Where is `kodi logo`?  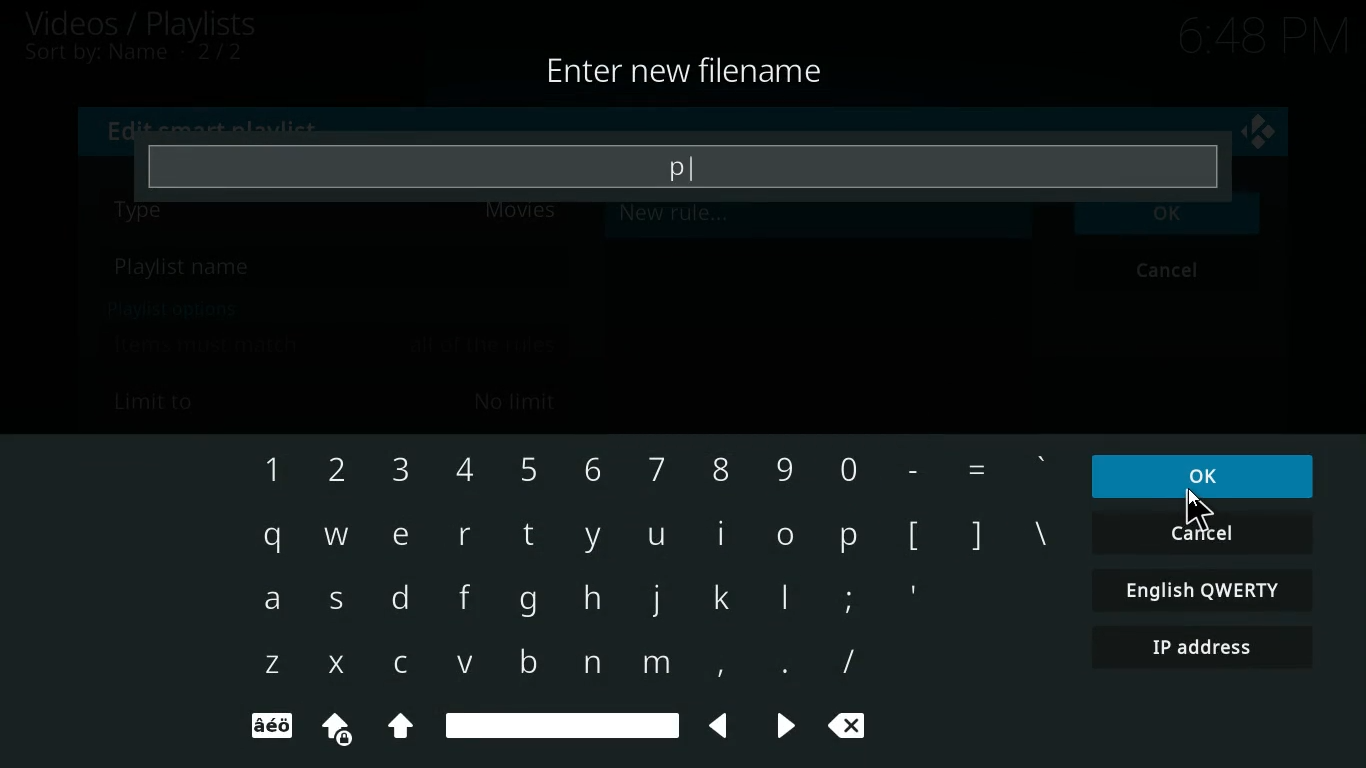 kodi logo is located at coordinates (1259, 133).